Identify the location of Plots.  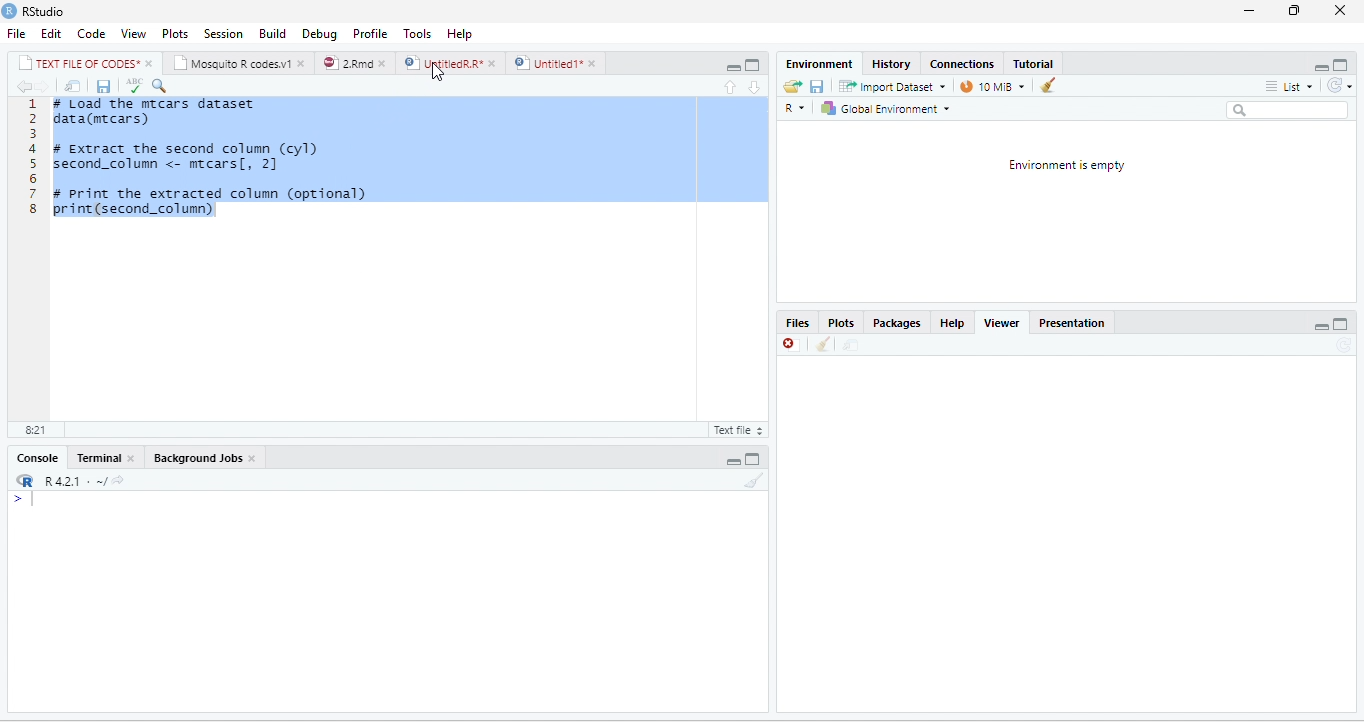
(845, 323).